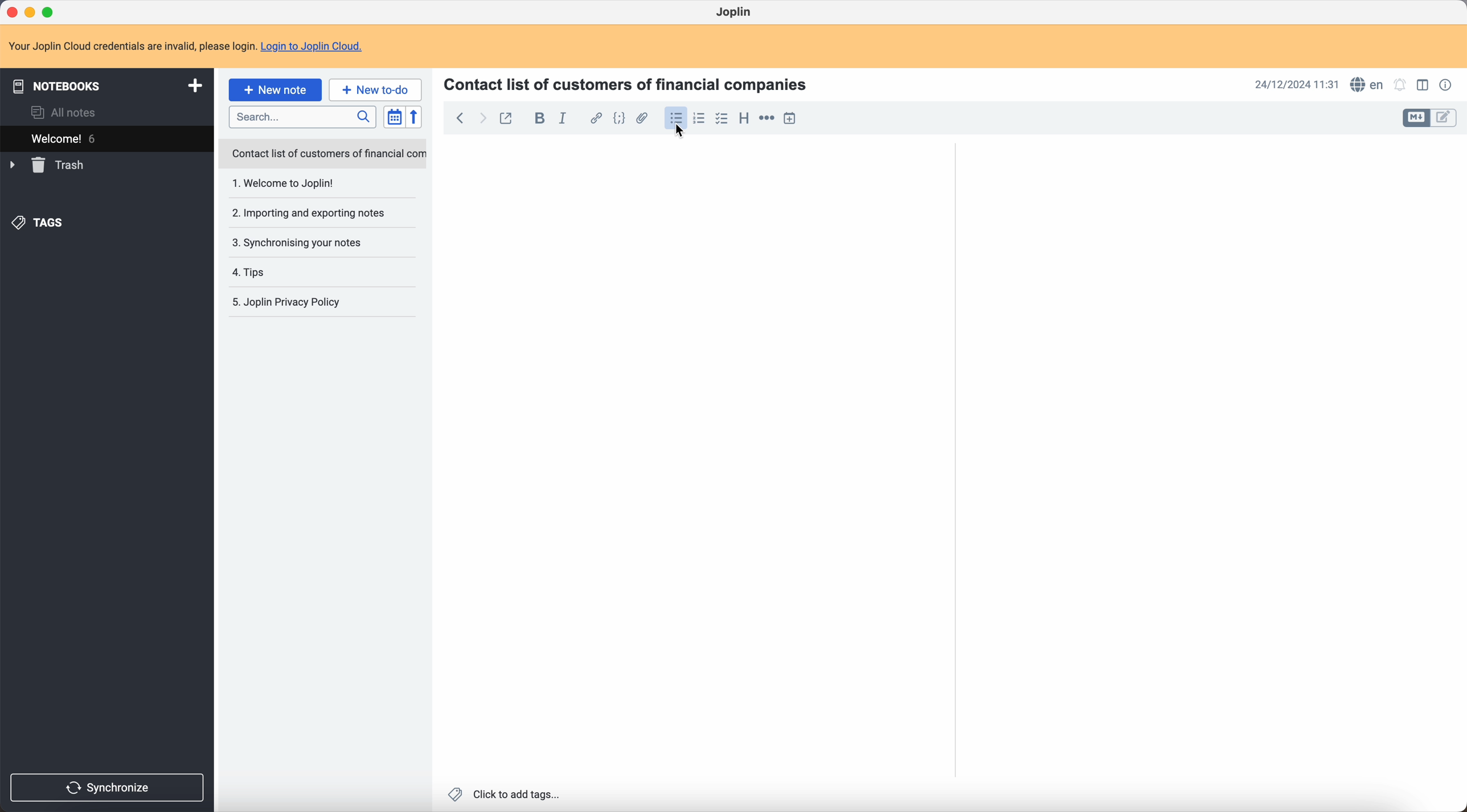 This screenshot has width=1467, height=812. Describe the element at coordinates (105, 85) in the screenshot. I see `notebooks` at that location.